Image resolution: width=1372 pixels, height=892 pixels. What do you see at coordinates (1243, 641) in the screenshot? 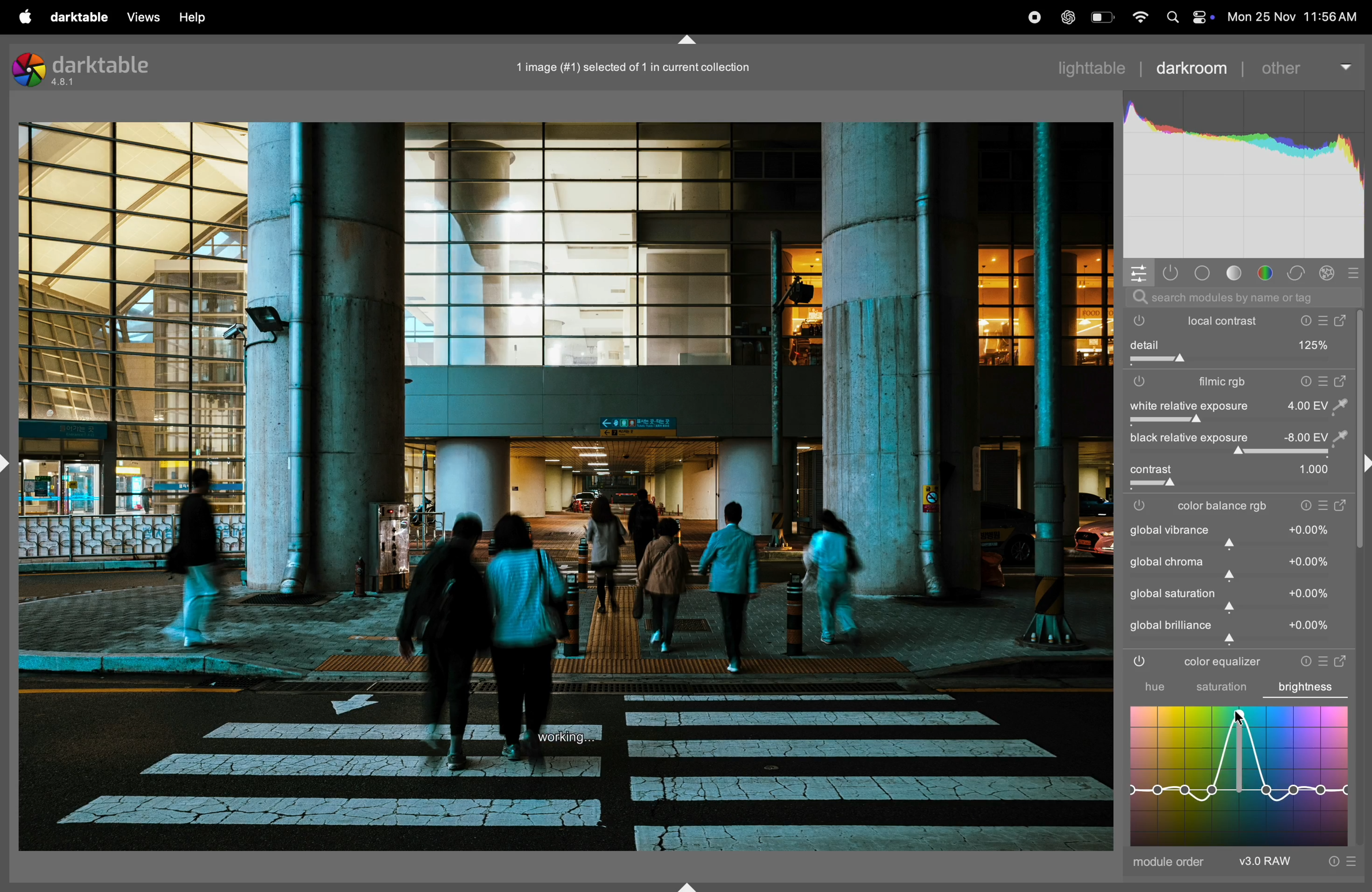
I see `slider` at bounding box center [1243, 641].